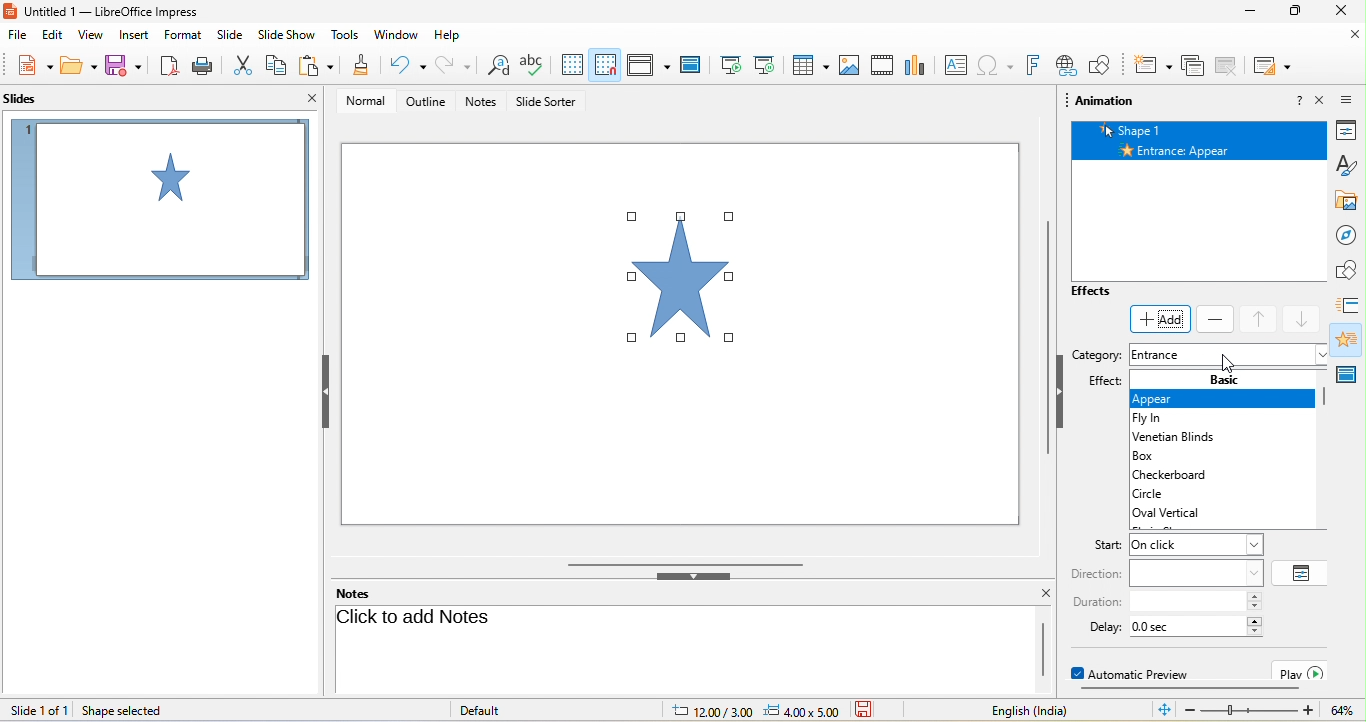 The width and height of the screenshot is (1366, 722). What do you see at coordinates (1016, 710) in the screenshot?
I see `text language` at bounding box center [1016, 710].